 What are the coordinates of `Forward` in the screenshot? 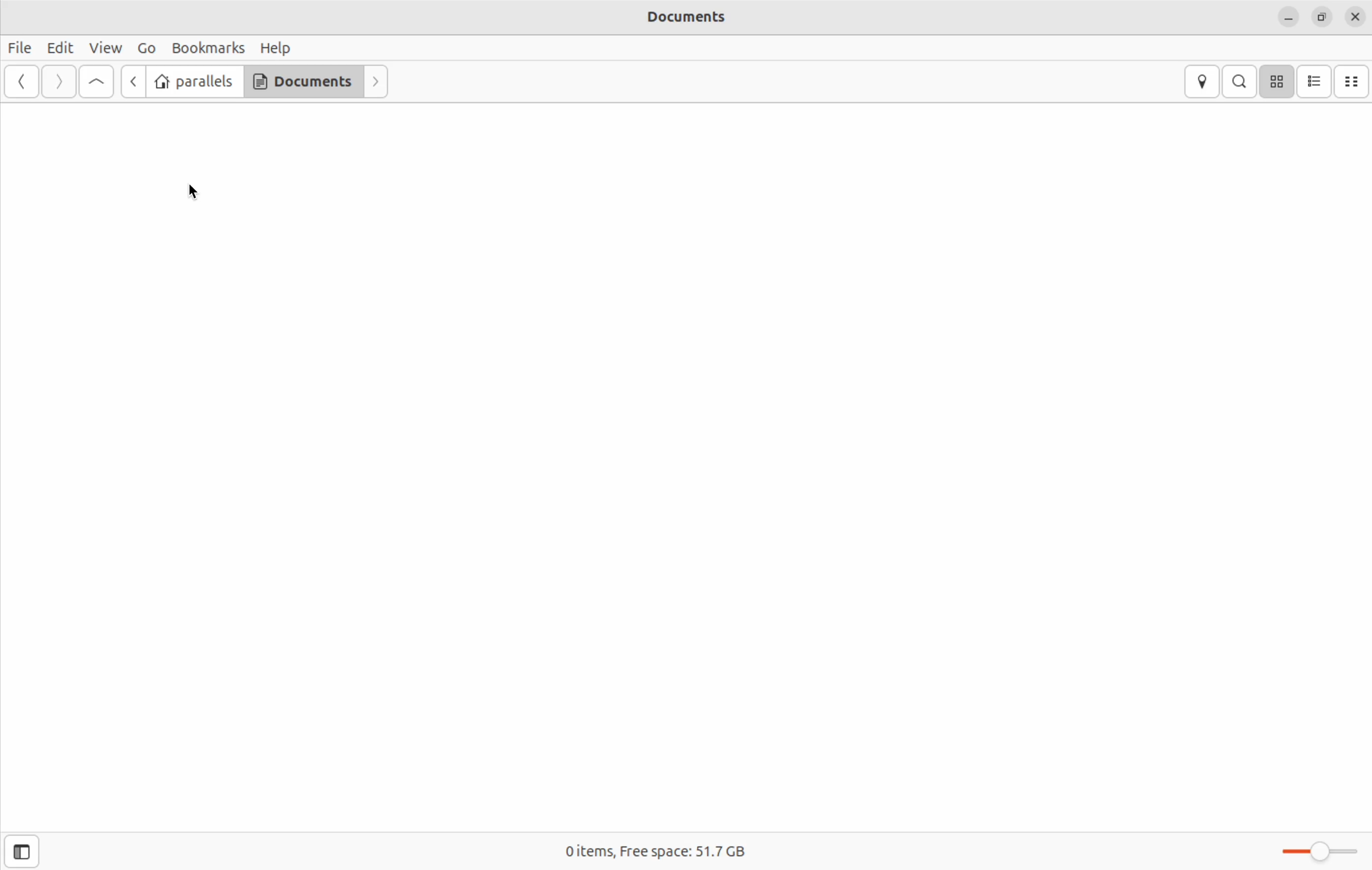 It's located at (375, 82).